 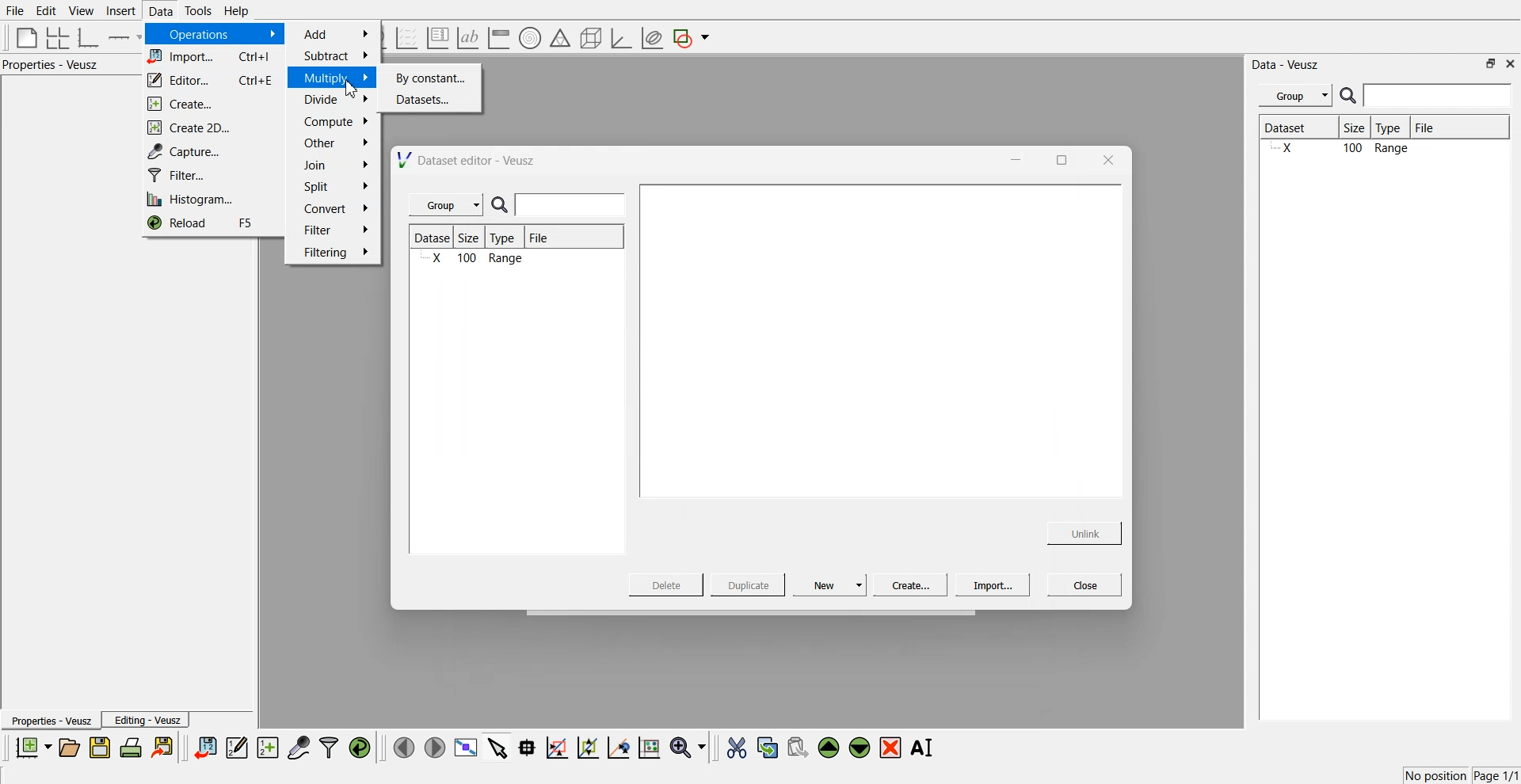 What do you see at coordinates (558, 40) in the screenshot?
I see `ternary shapes` at bounding box center [558, 40].